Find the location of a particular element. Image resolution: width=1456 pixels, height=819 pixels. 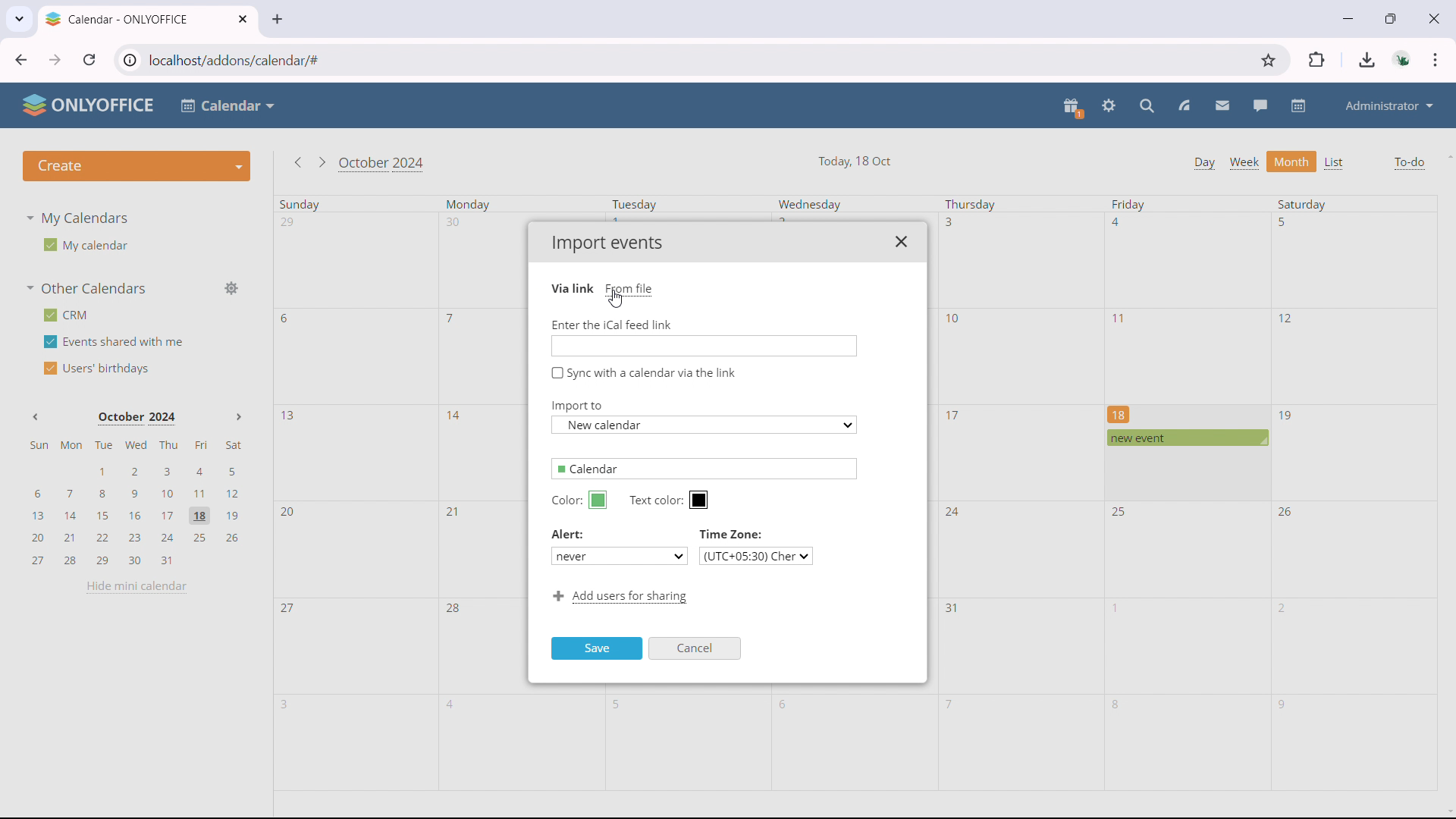

From file is located at coordinates (632, 288).